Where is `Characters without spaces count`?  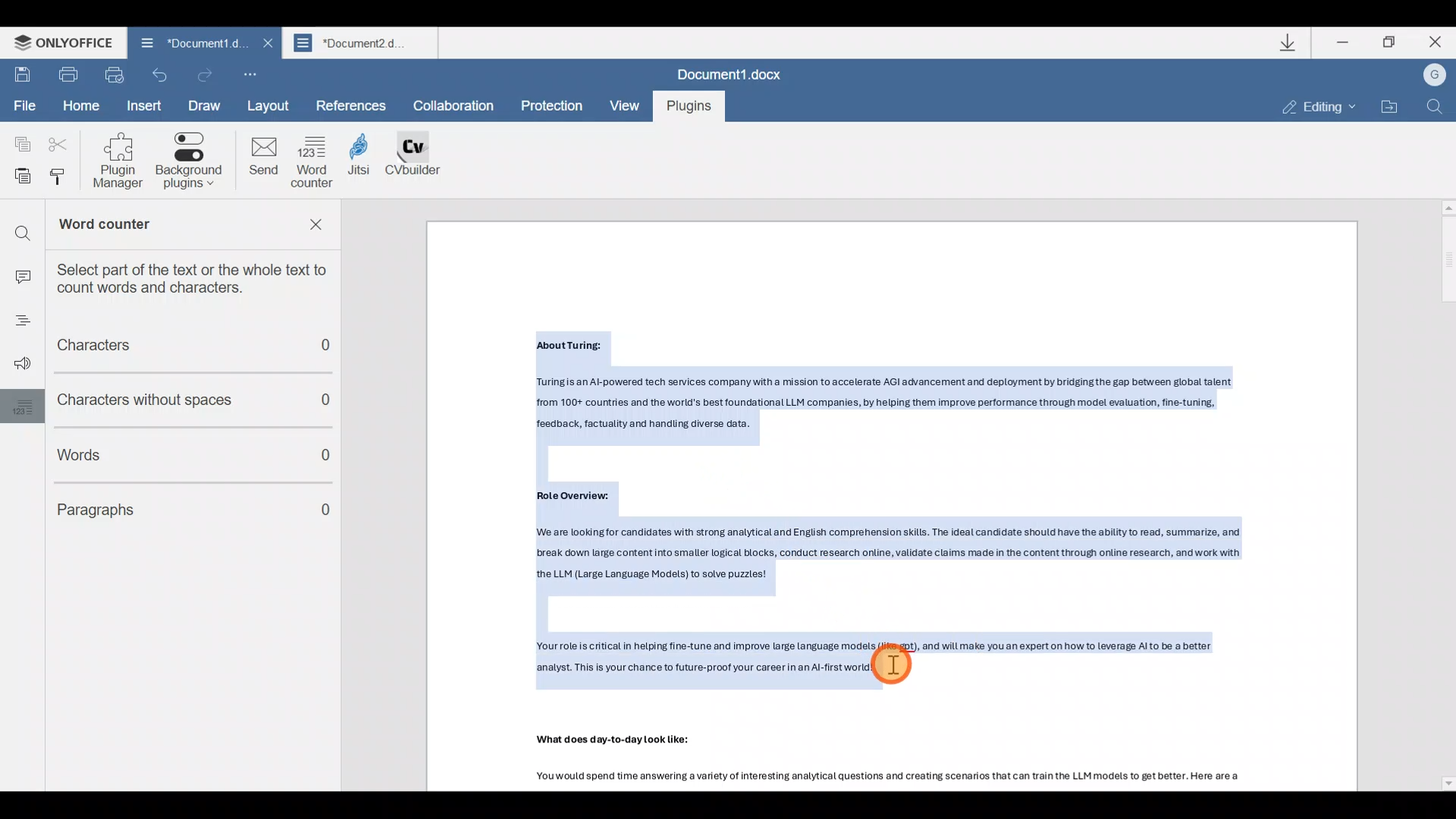
Characters without spaces count is located at coordinates (164, 400).